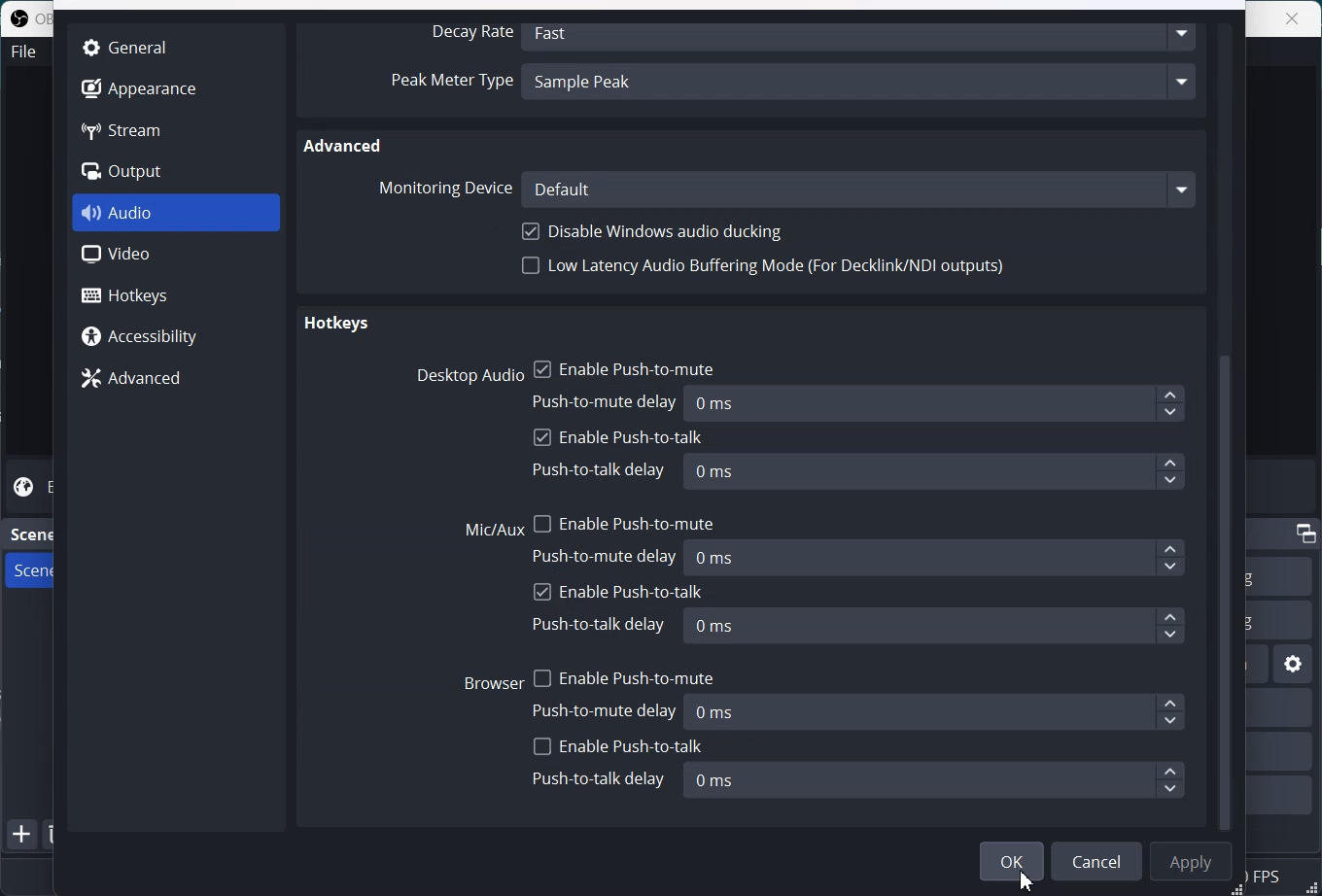 The height and width of the screenshot is (896, 1322). I want to click on 0 ms, so click(933, 780).